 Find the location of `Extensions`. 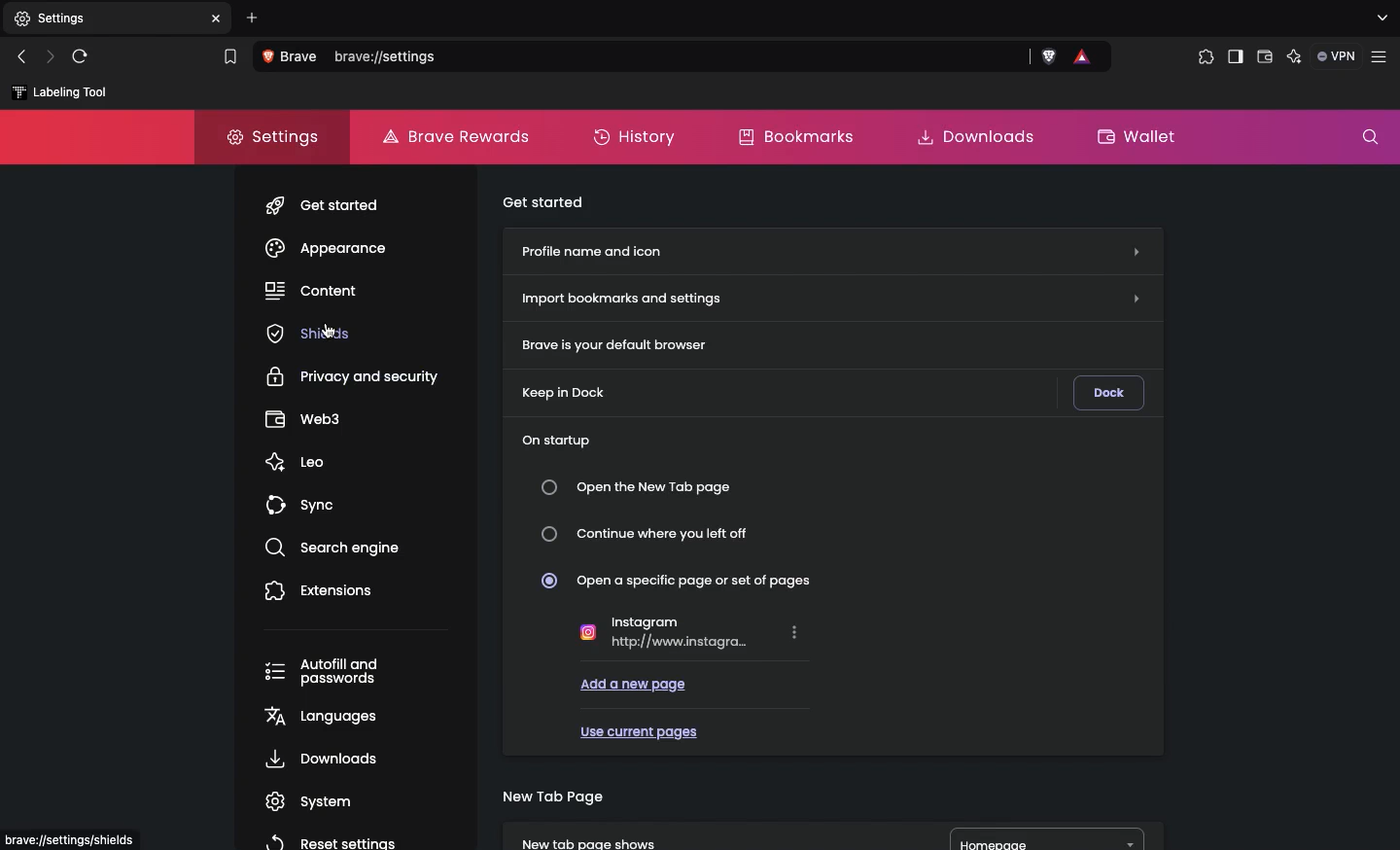

Extensions is located at coordinates (1206, 60).